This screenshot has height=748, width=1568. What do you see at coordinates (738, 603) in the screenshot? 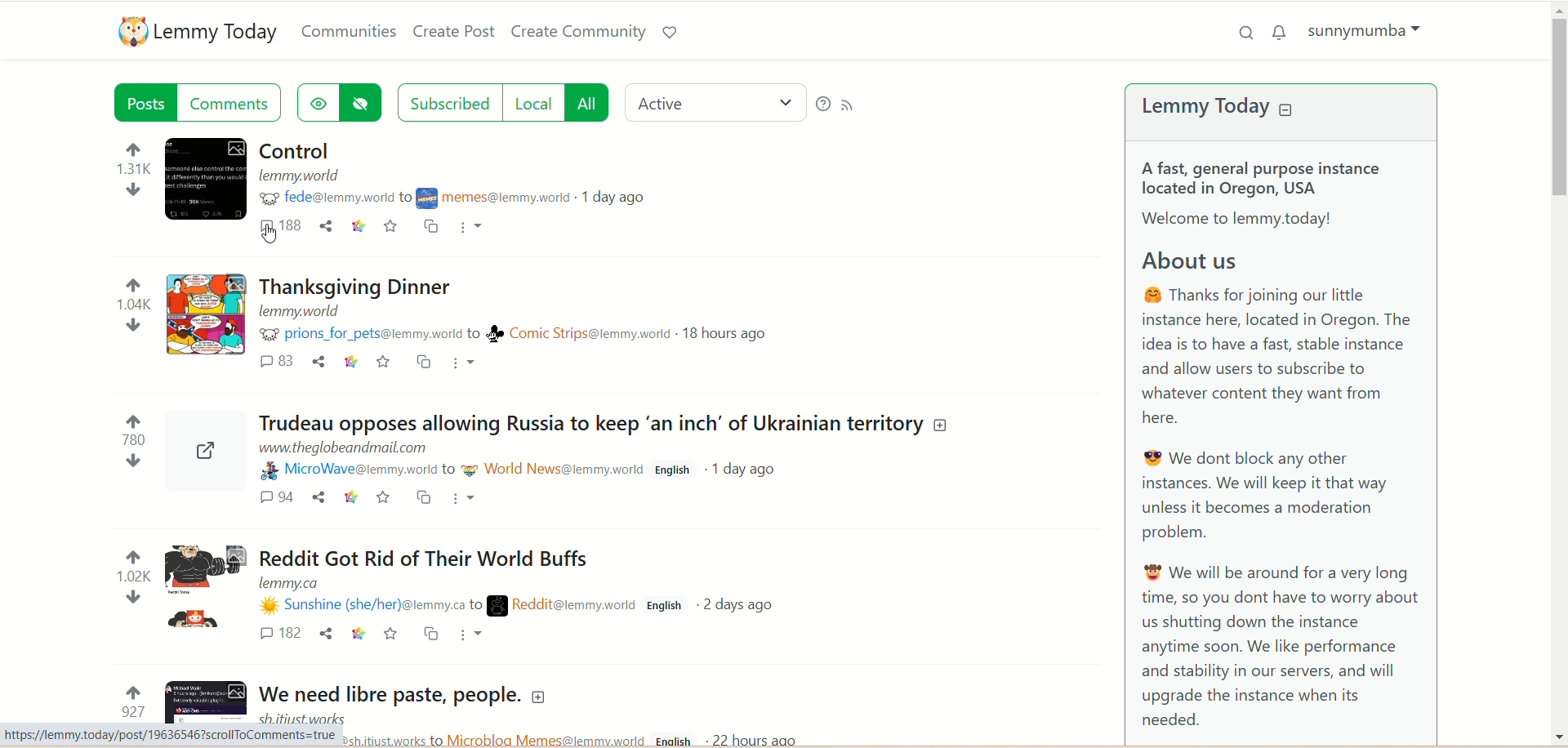
I see `2 days ago` at bounding box center [738, 603].